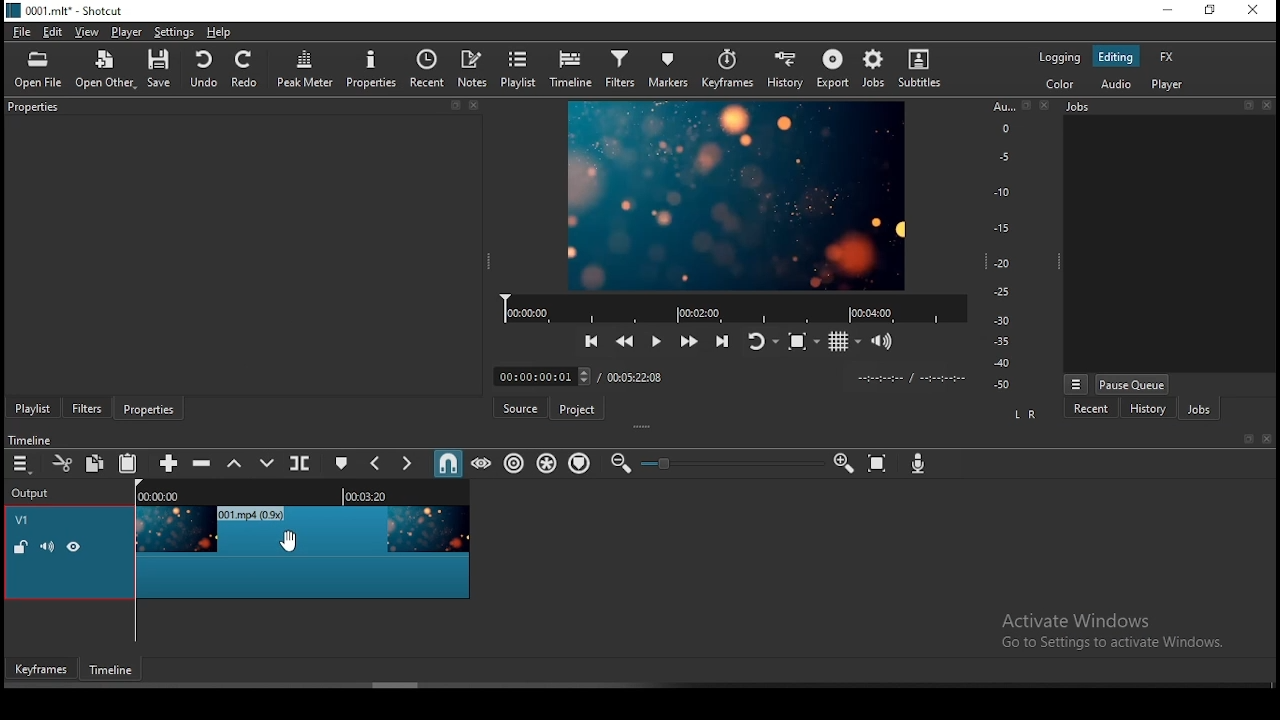  Describe the element at coordinates (57, 32) in the screenshot. I see `edit` at that location.